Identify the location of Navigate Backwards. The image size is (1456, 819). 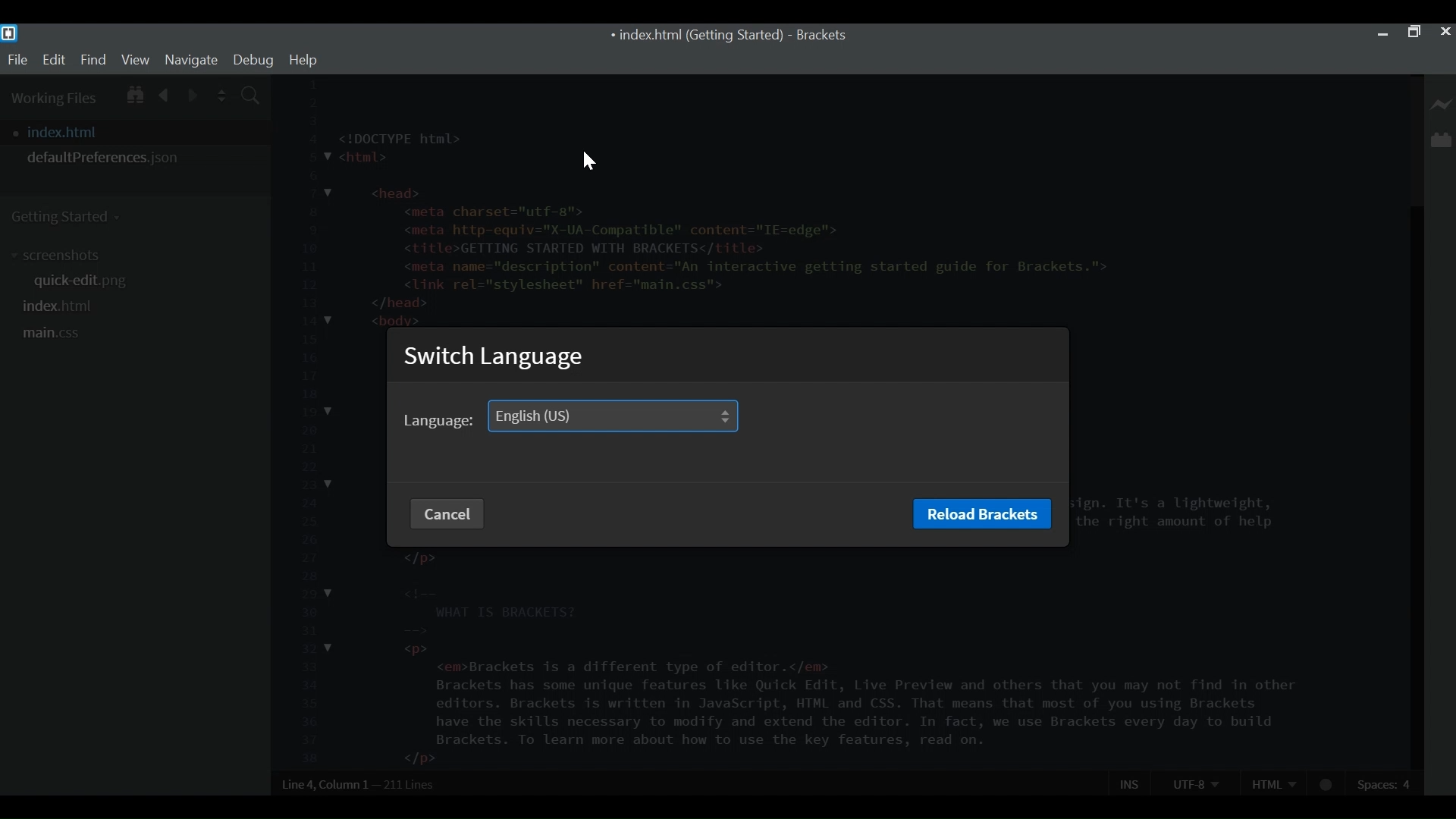
(165, 93).